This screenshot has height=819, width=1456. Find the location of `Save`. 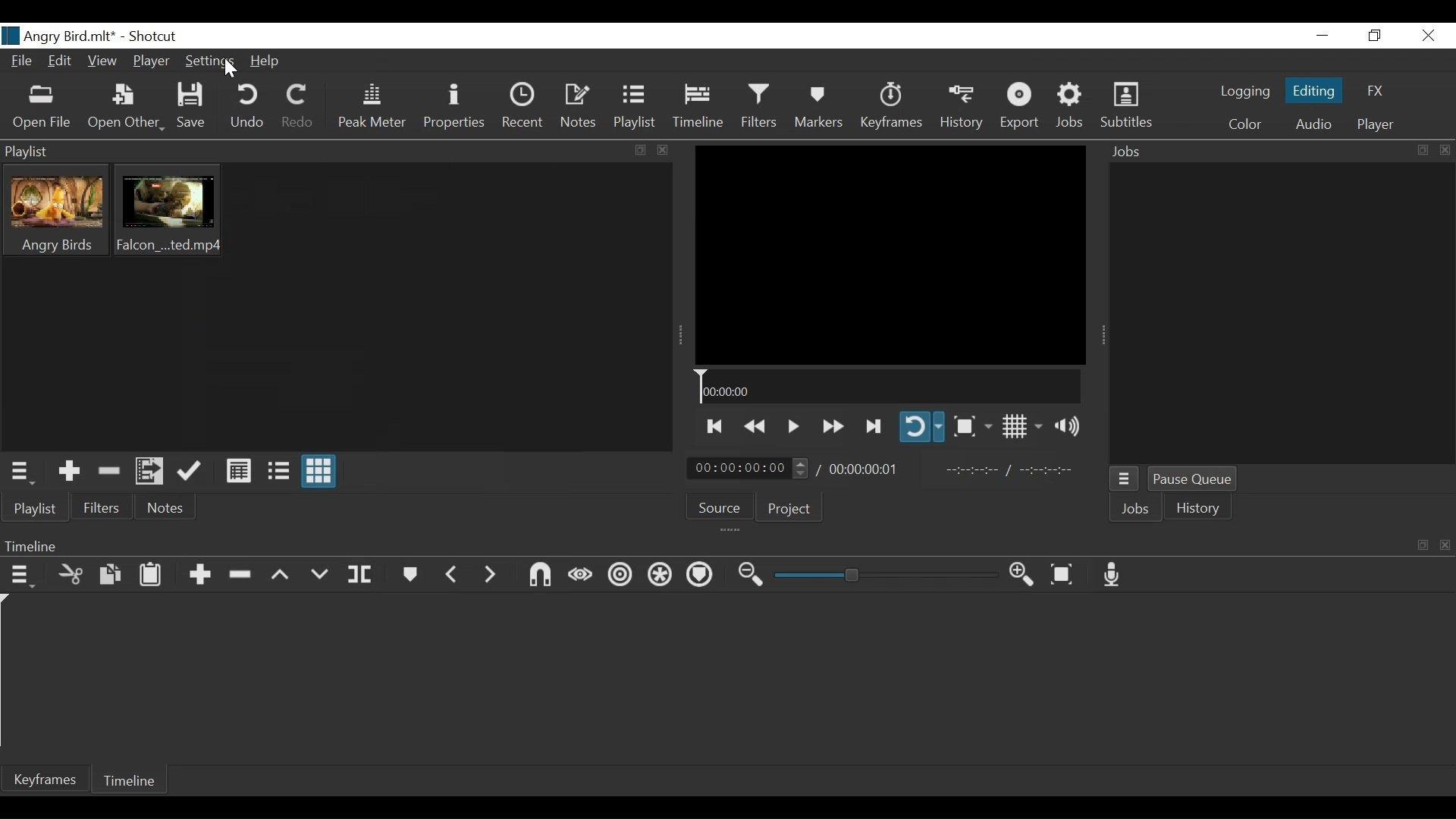

Save is located at coordinates (193, 108).